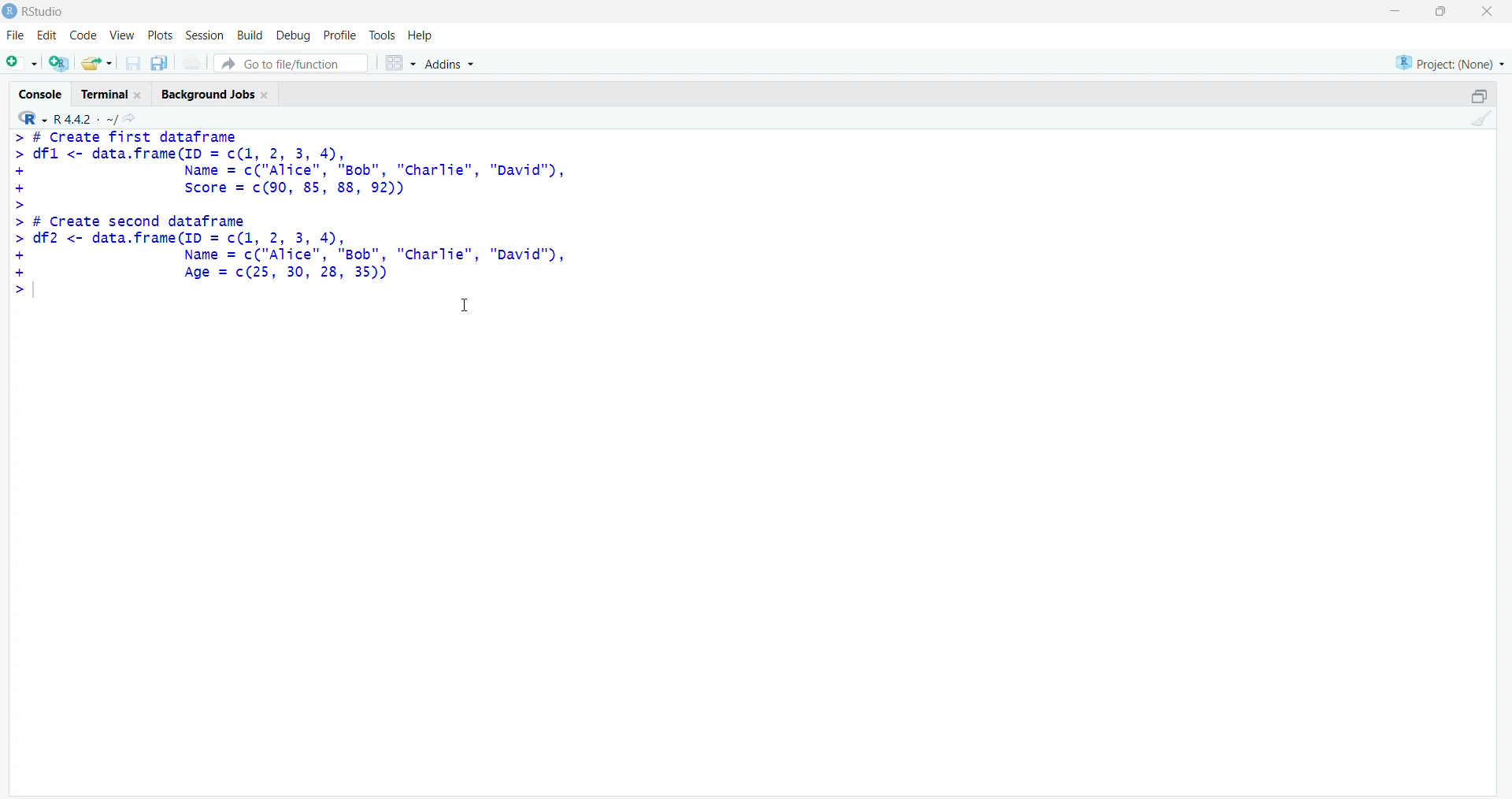  I want to click on > # Create second dataframe> df2 <- data.frame(ID = c(1, 2, 3, 4),+ Name = c("Alice", "Bob", "Charlie", "David"),+ Age = c(25, 30, 28, 35))>, so click(292, 257).